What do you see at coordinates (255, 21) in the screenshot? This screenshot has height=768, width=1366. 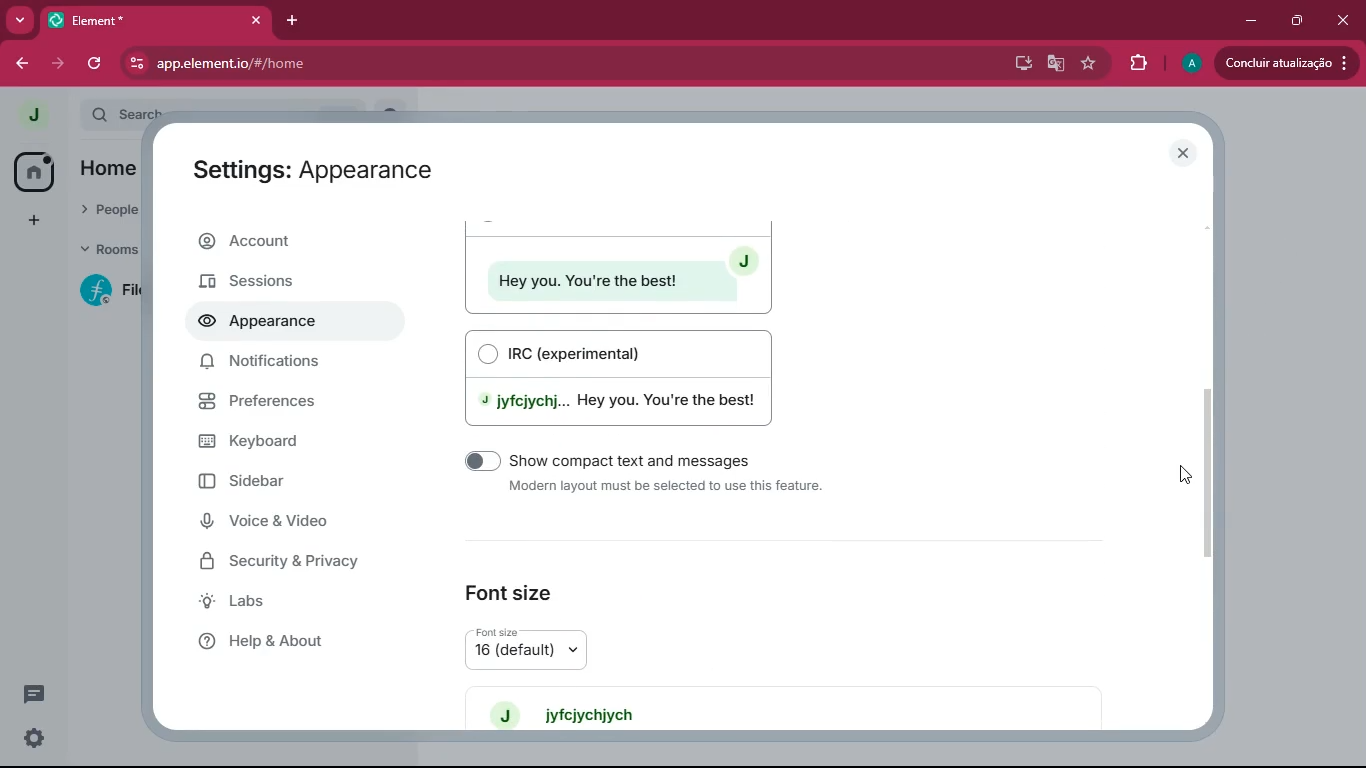 I see `close` at bounding box center [255, 21].